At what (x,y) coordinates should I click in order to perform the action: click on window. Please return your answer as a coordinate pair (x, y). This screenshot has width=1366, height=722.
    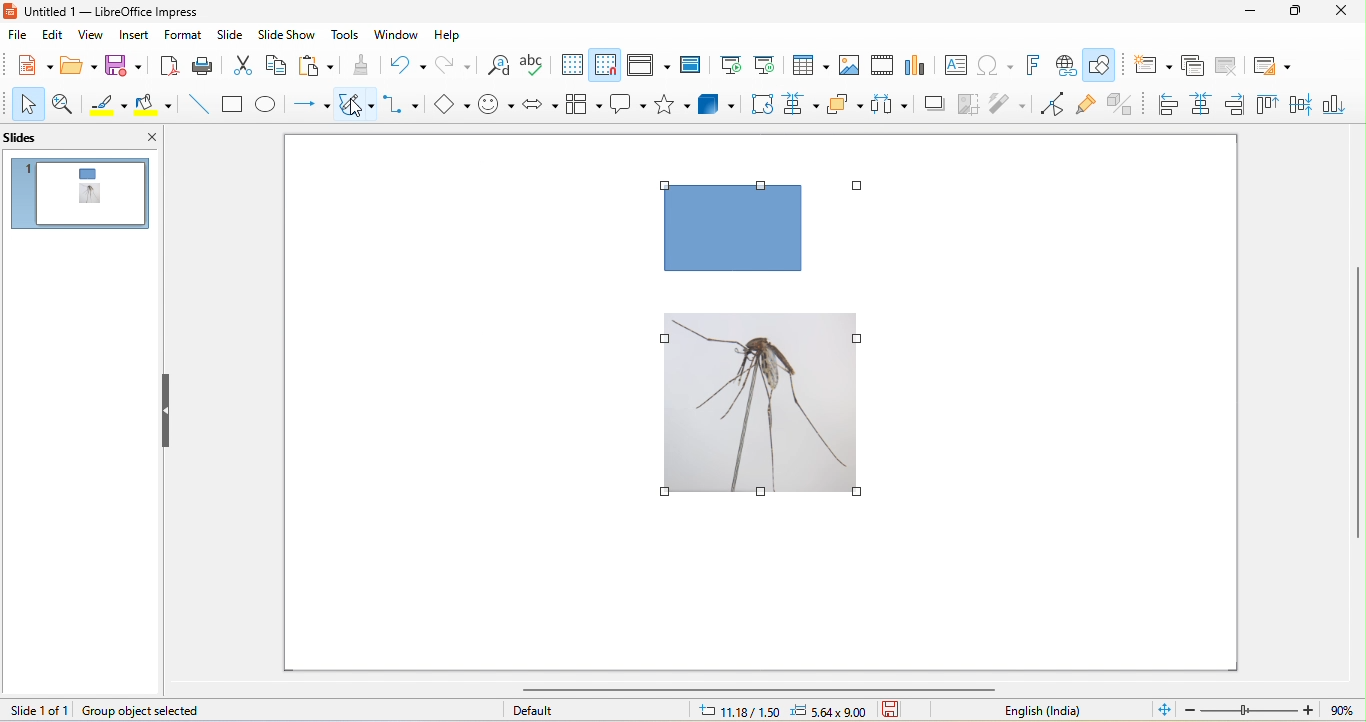
    Looking at the image, I should click on (401, 39).